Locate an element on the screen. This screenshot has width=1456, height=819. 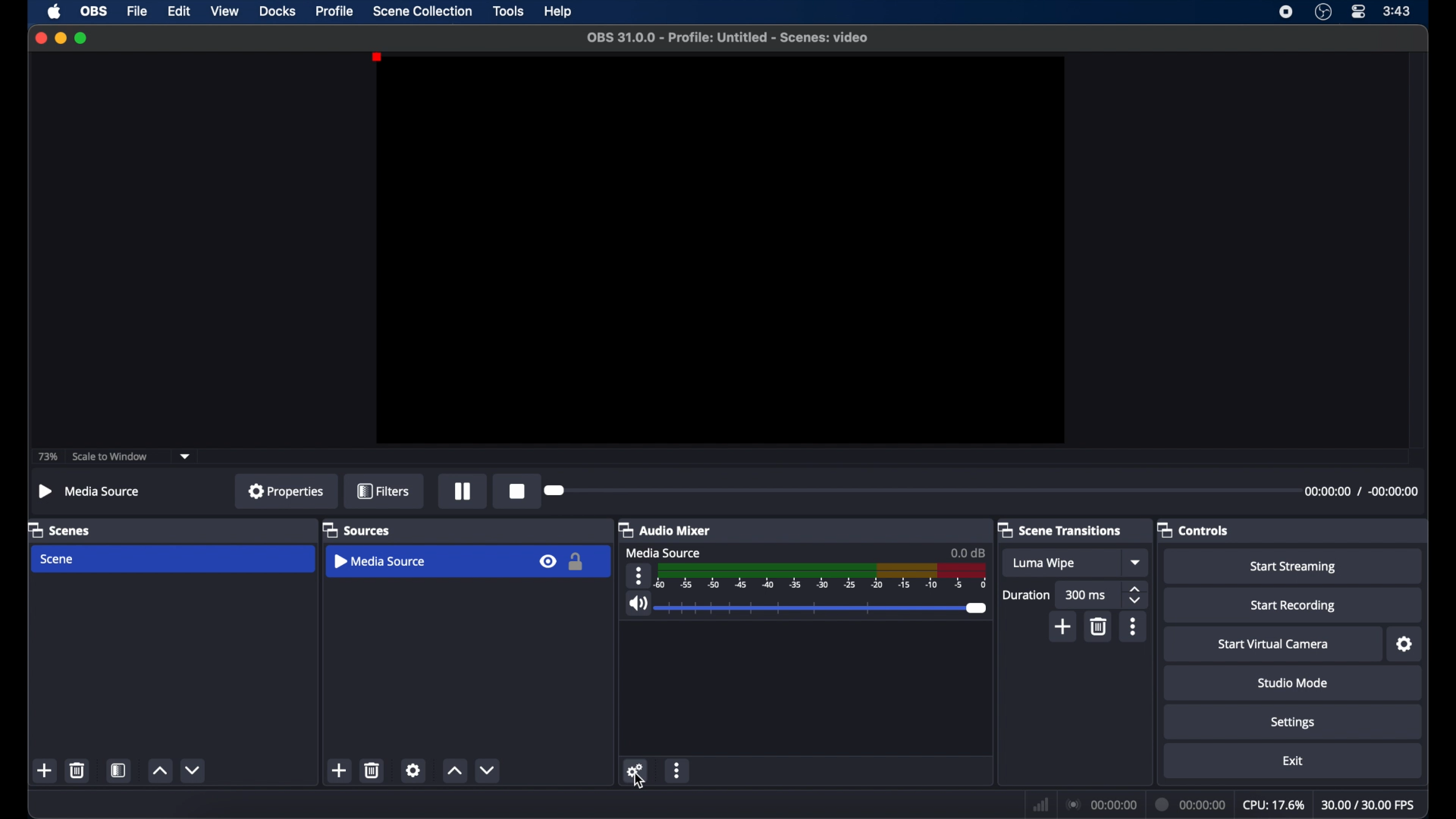
00:00:00 is located at coordinates (1103, 805).